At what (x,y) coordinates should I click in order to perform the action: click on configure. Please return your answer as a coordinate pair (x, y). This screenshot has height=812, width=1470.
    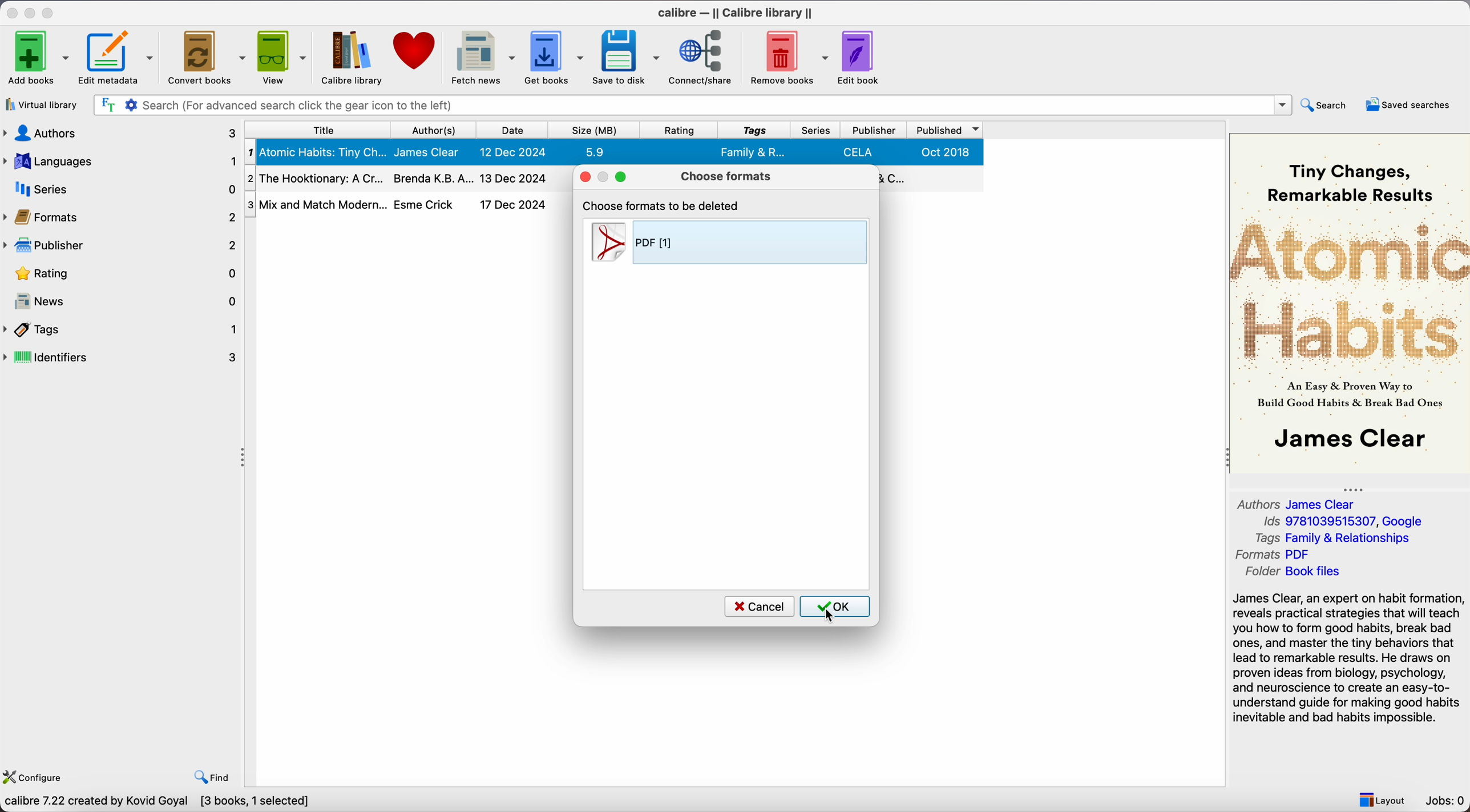
    Looking at the image, I should click on (34, 777).